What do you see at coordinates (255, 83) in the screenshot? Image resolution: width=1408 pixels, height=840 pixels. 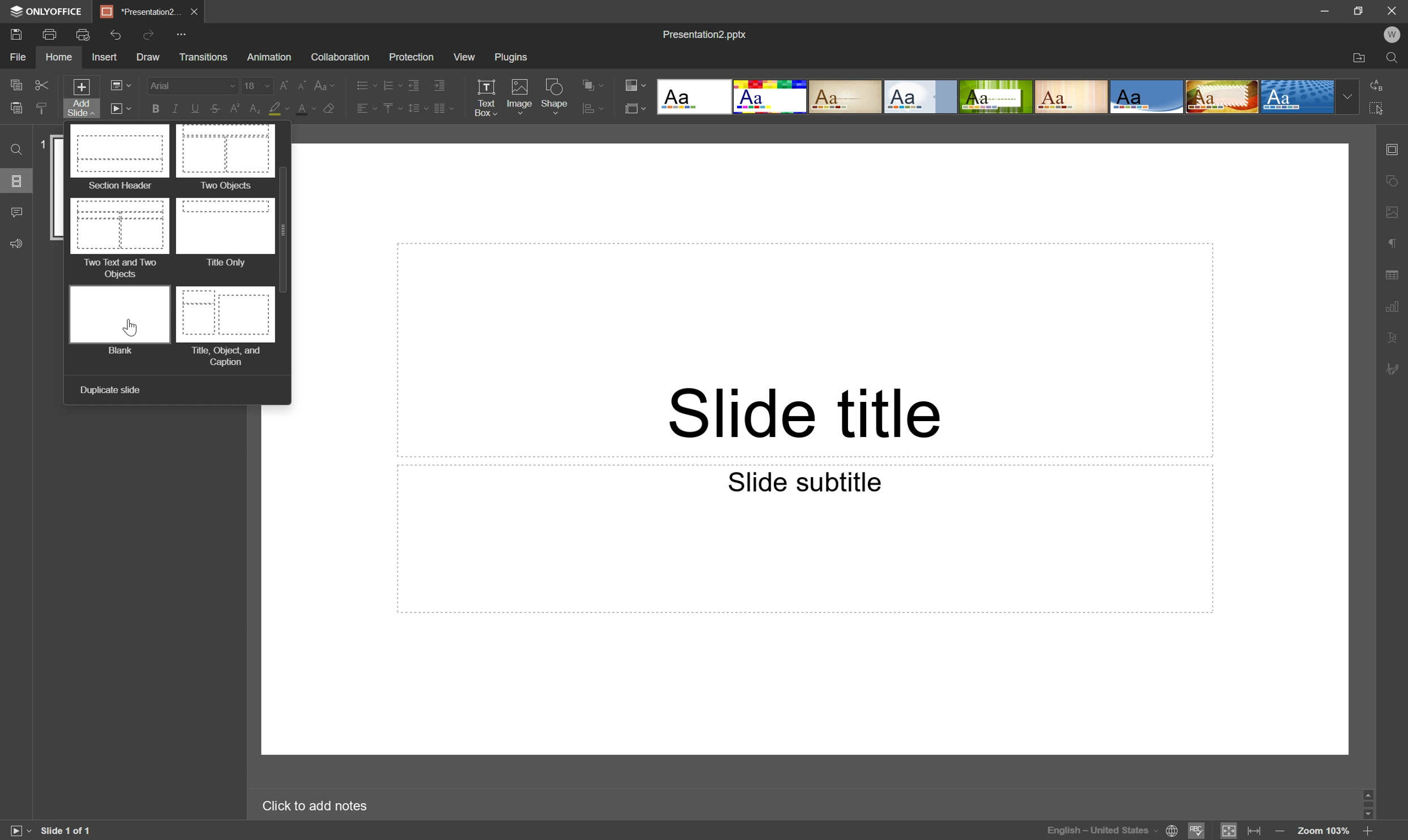 I see `18` at bounding box center [255, 83].